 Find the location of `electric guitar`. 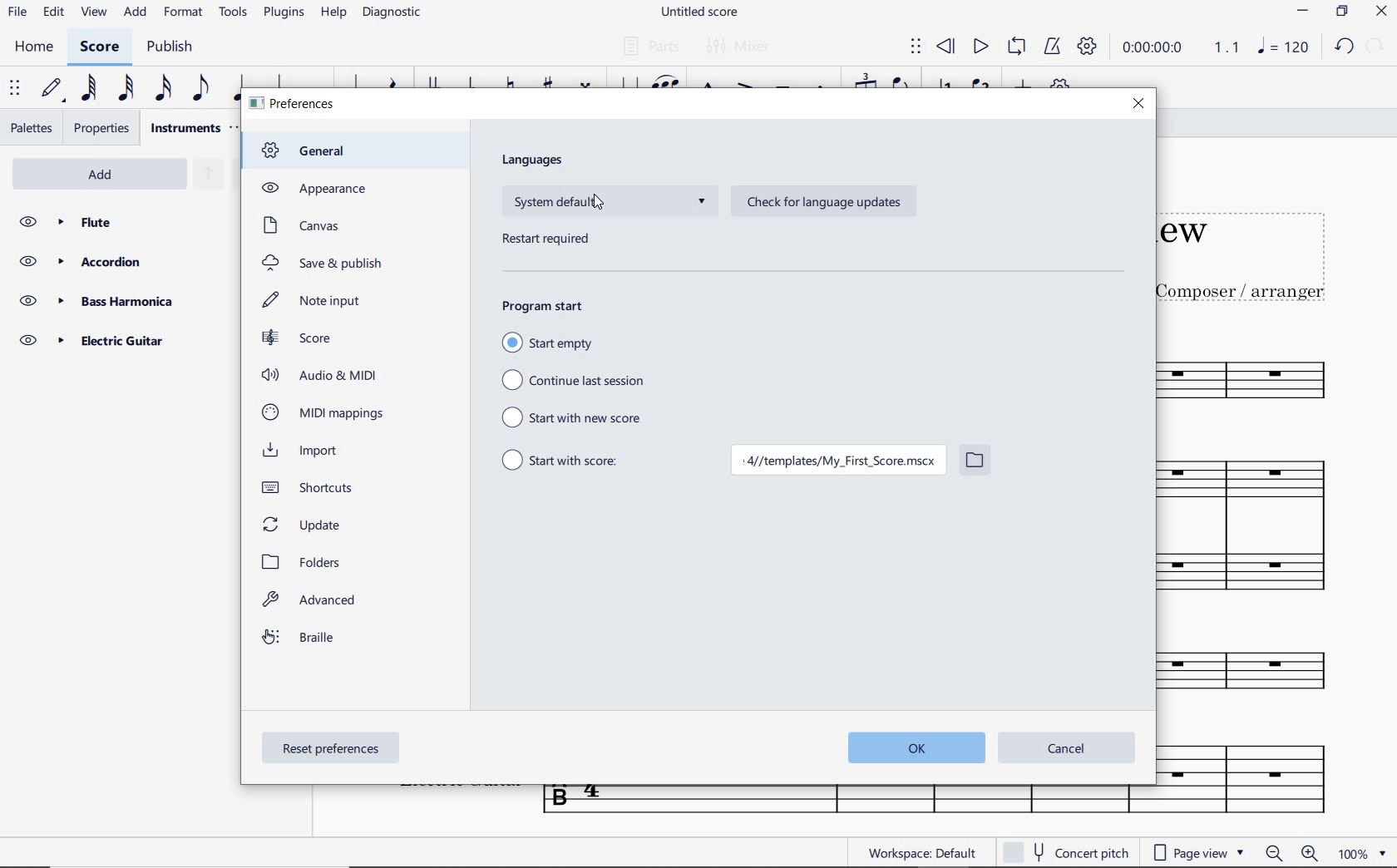

electric guitar is located at coordinates (116, 340).